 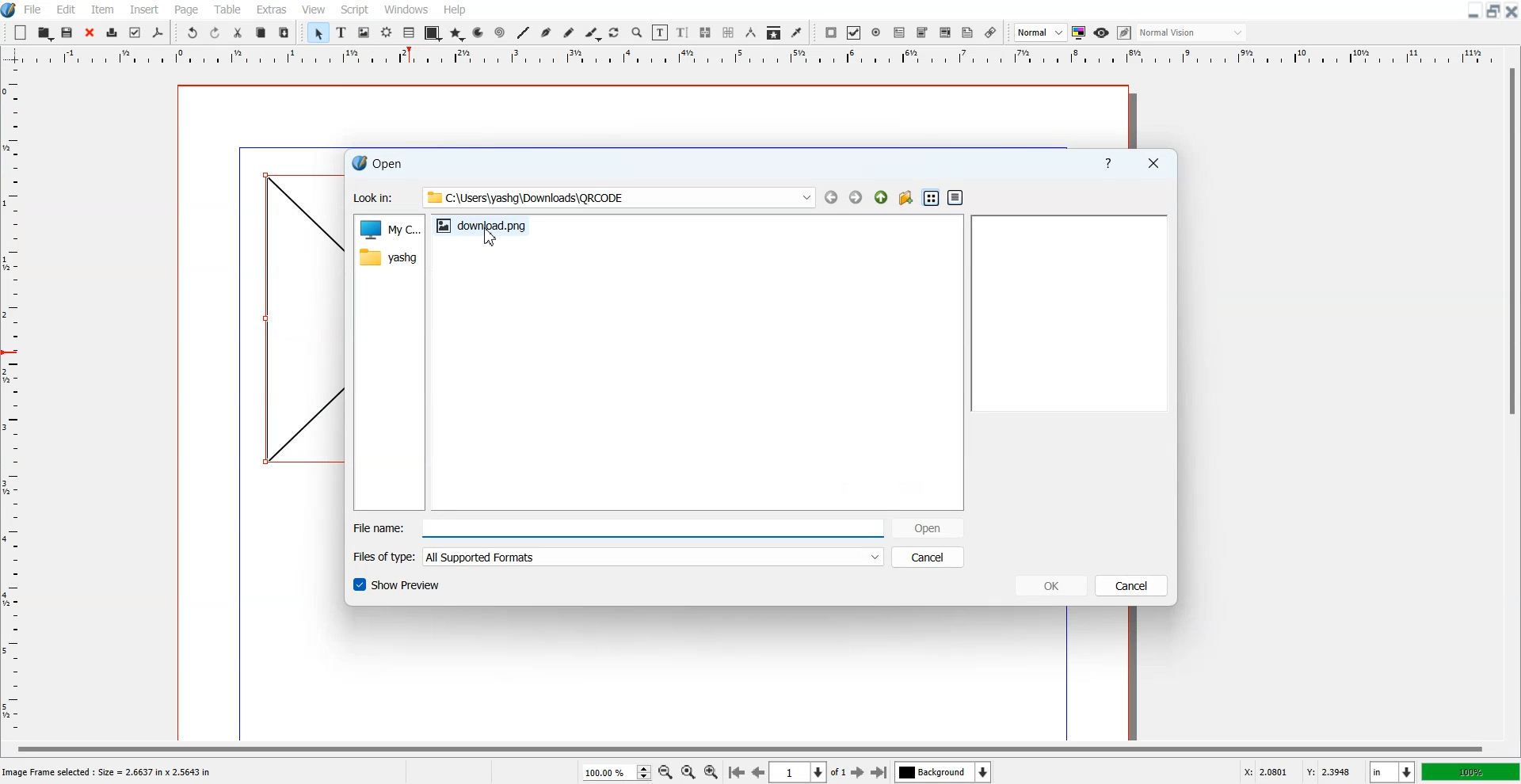 I want to click on Open, so click(x=929, y=527).